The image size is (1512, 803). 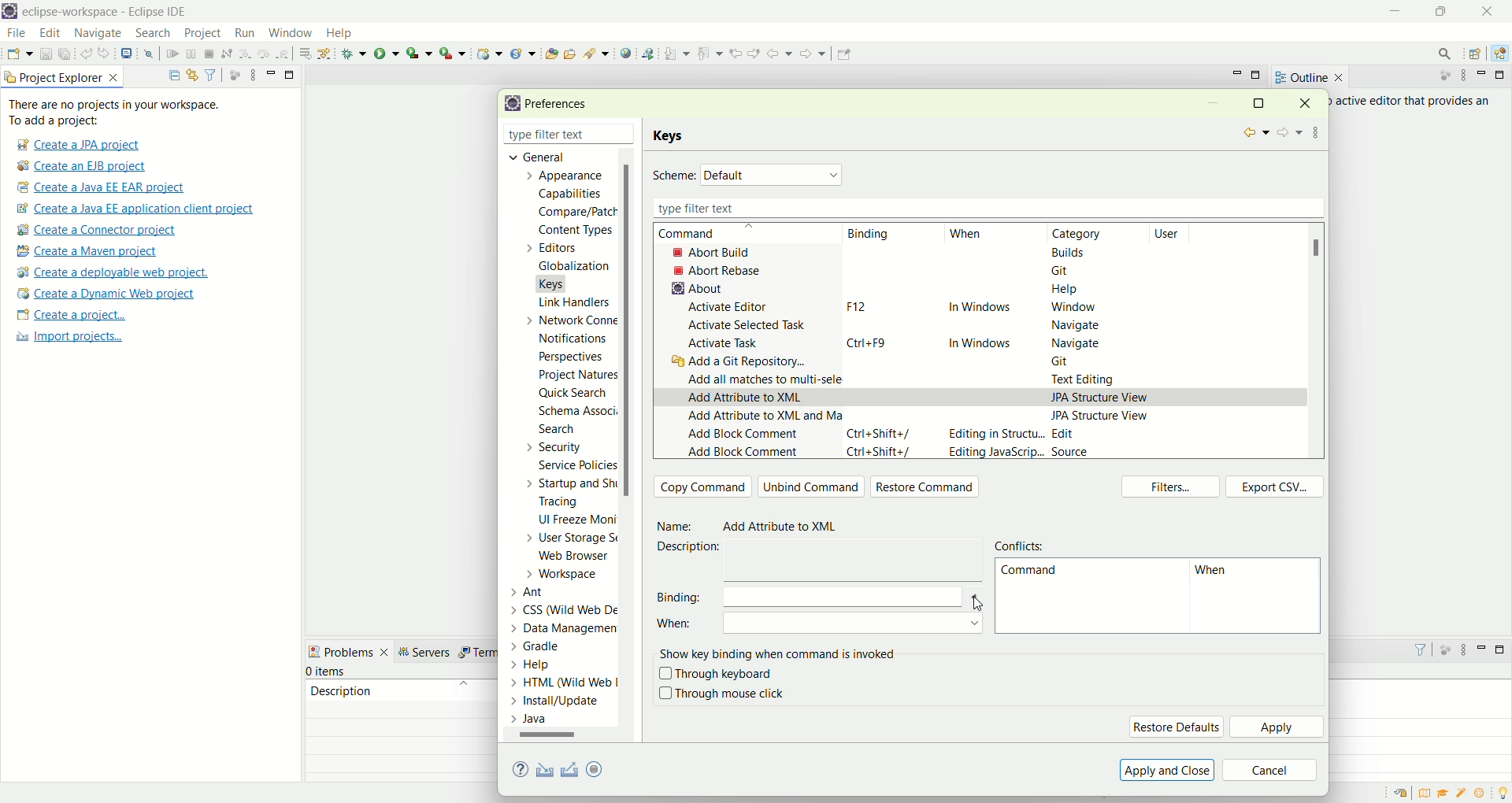 I want to click on open type, so click(x=550, y=53).